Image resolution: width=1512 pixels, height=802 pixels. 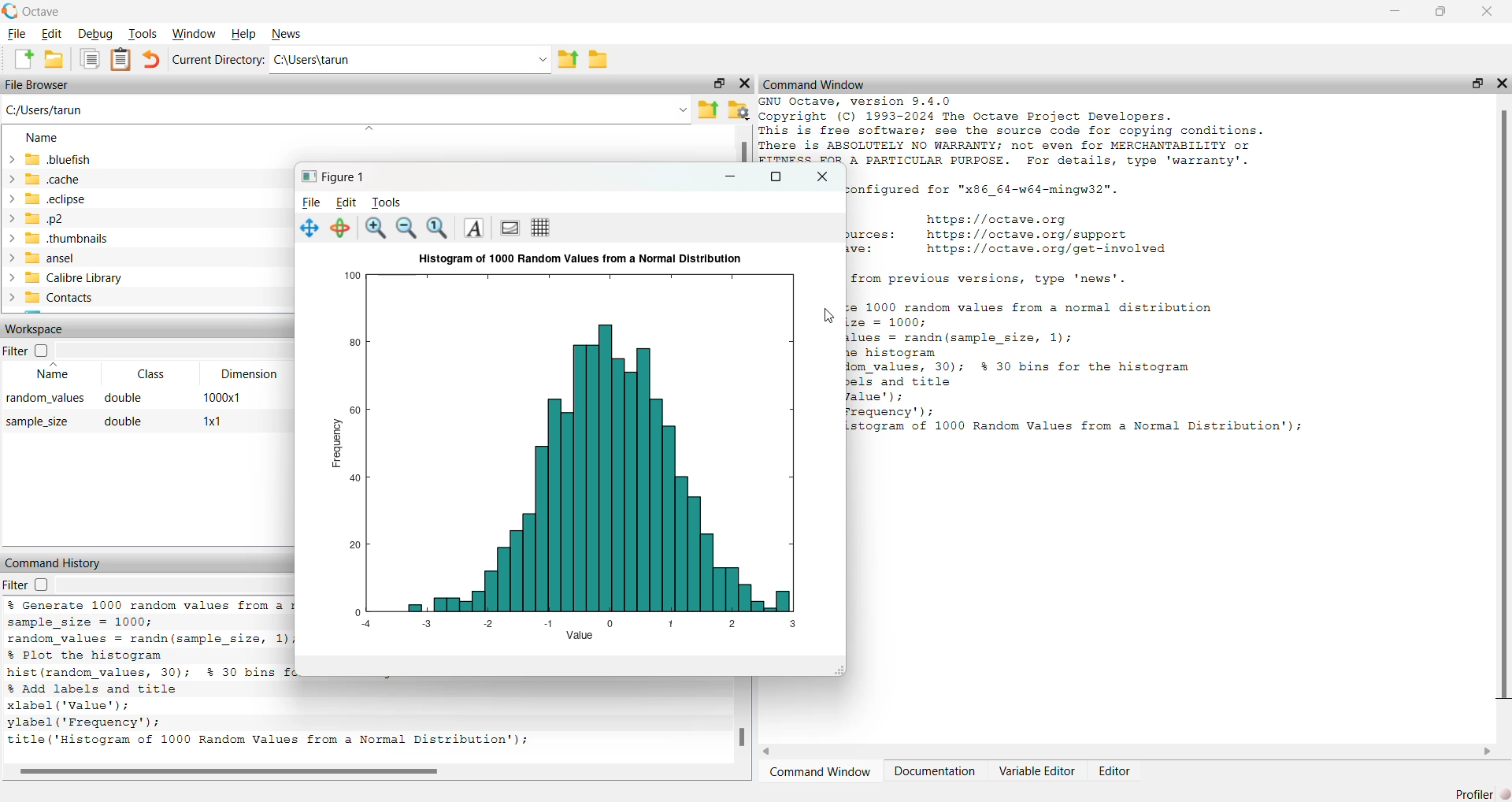 I want to click on scroll bar, so click(x=229, y=772).